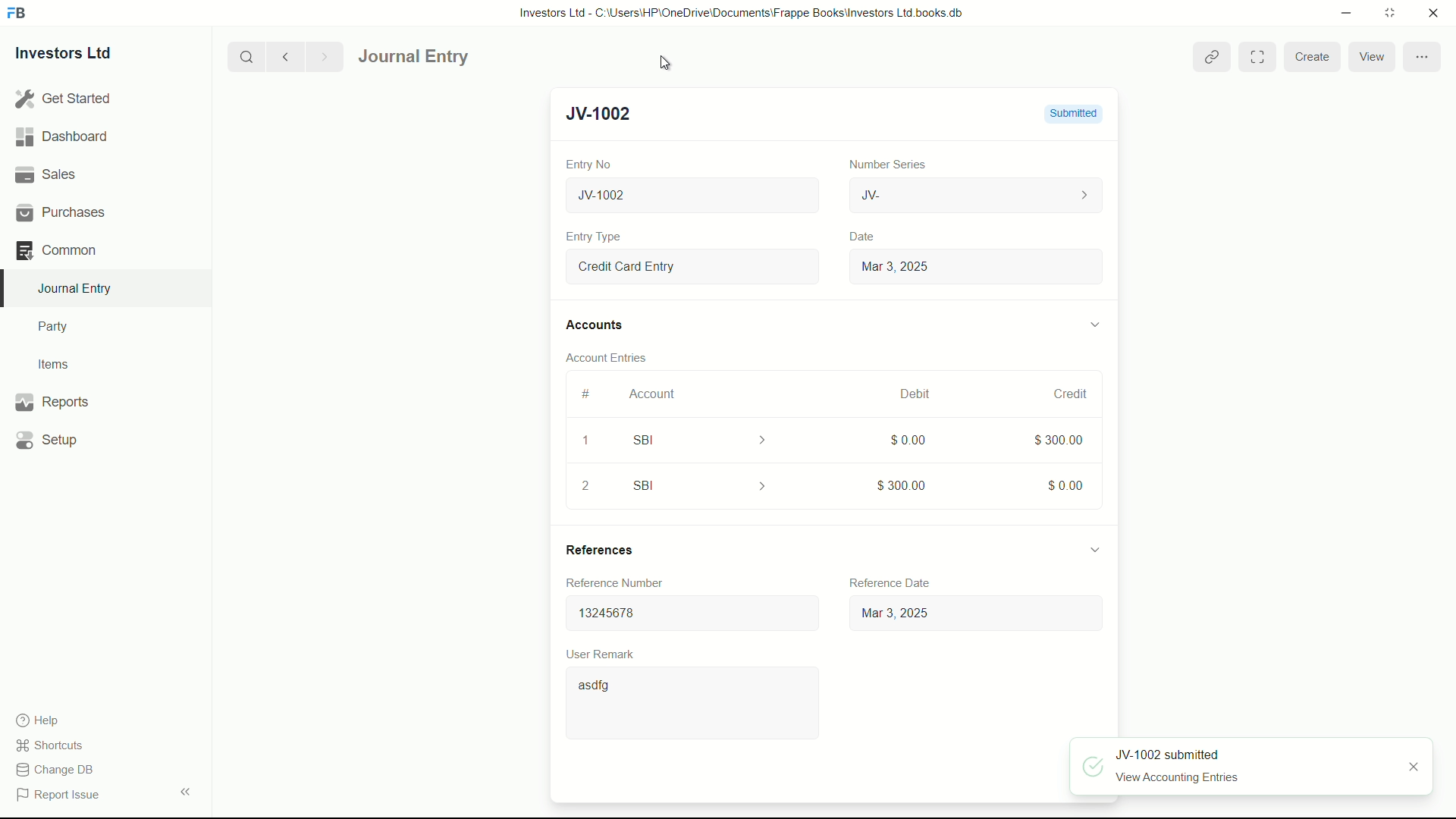 This screenshot has width=1456, height=819. What do you see at coordinates (613, 355) in the screenshot?
I see `Account Entries` at bounding box center [613, 355].